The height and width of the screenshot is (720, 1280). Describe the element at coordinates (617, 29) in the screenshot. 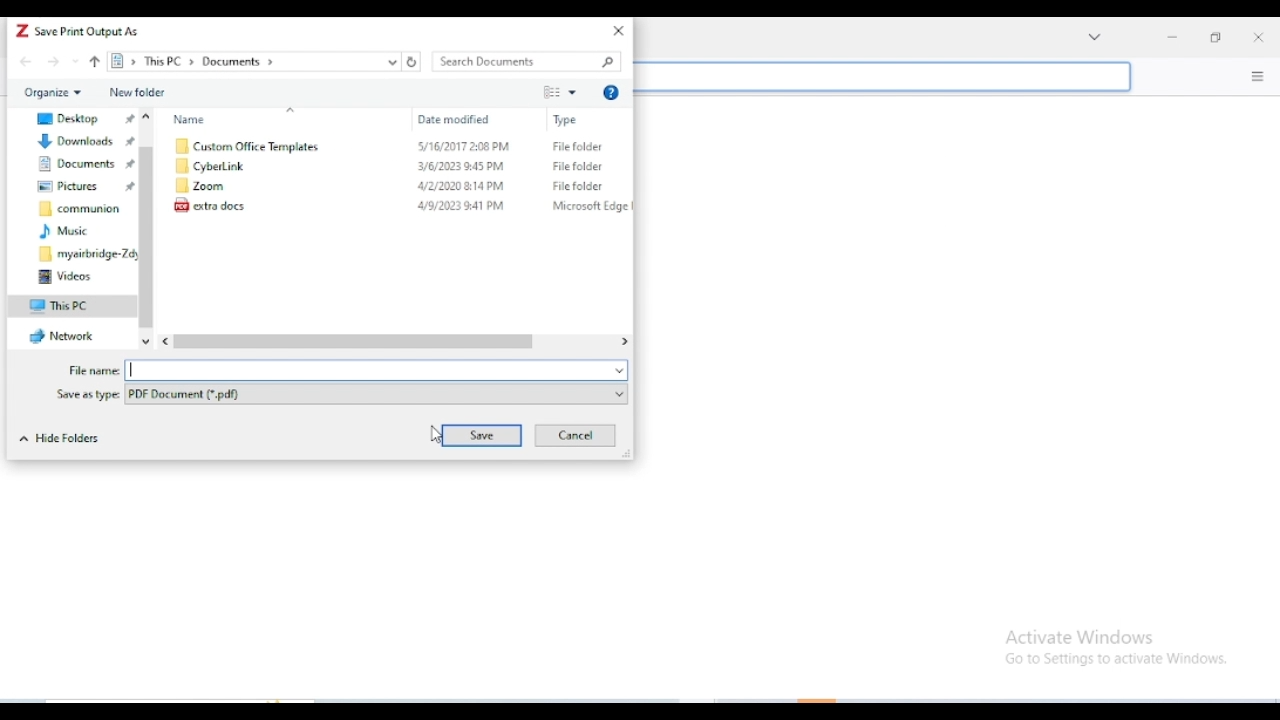

I see `close` at that location.